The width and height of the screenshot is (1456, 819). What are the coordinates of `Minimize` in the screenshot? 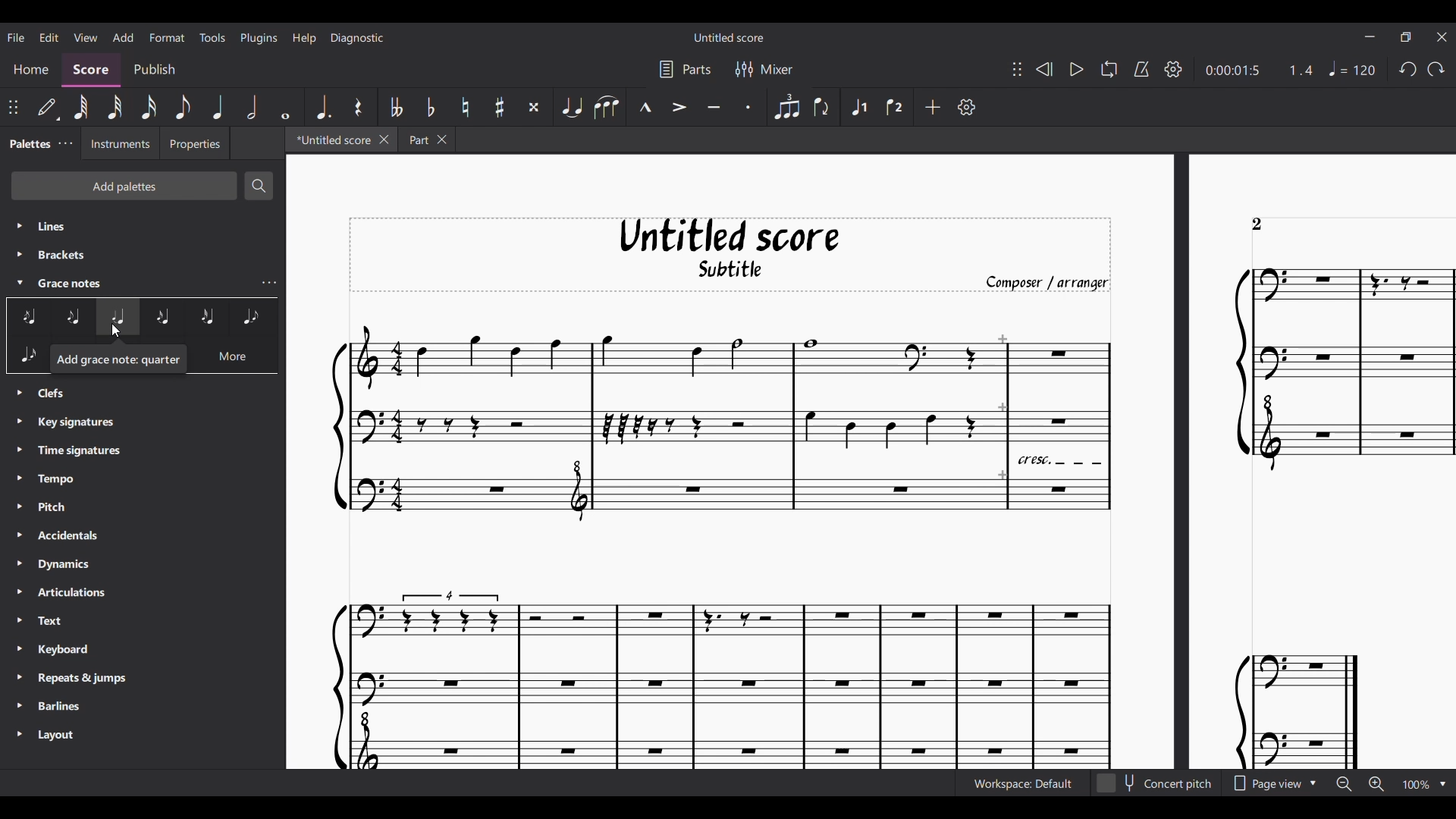 It's located at (1370, 36).